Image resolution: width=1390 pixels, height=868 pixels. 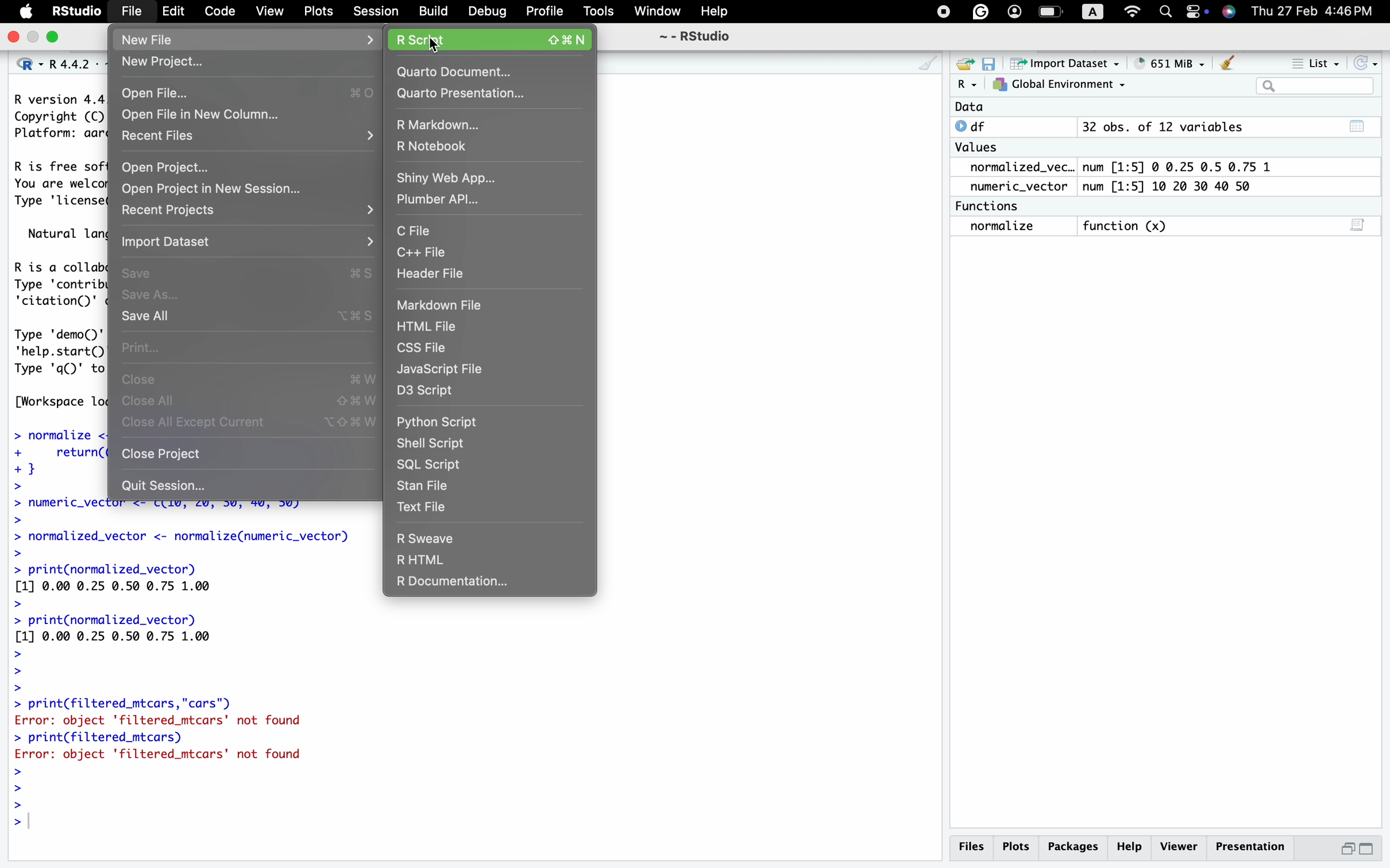 What do you see at coordinates (1167, 228) in the screenshot?
I see `normalize function (x) 3` at bounding box center [1167, 228].